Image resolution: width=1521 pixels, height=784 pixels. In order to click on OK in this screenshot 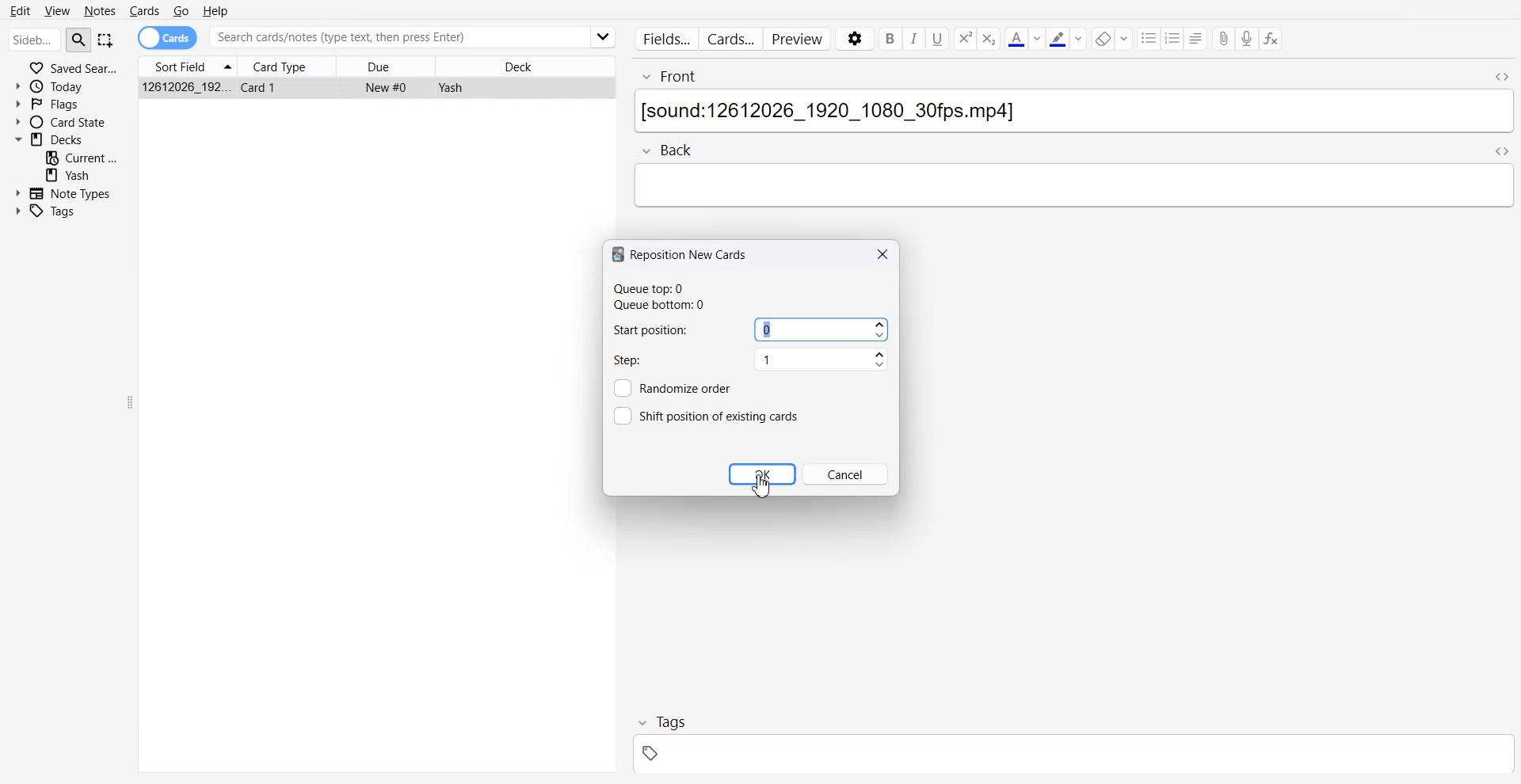, I will do `click(762, 474)`.